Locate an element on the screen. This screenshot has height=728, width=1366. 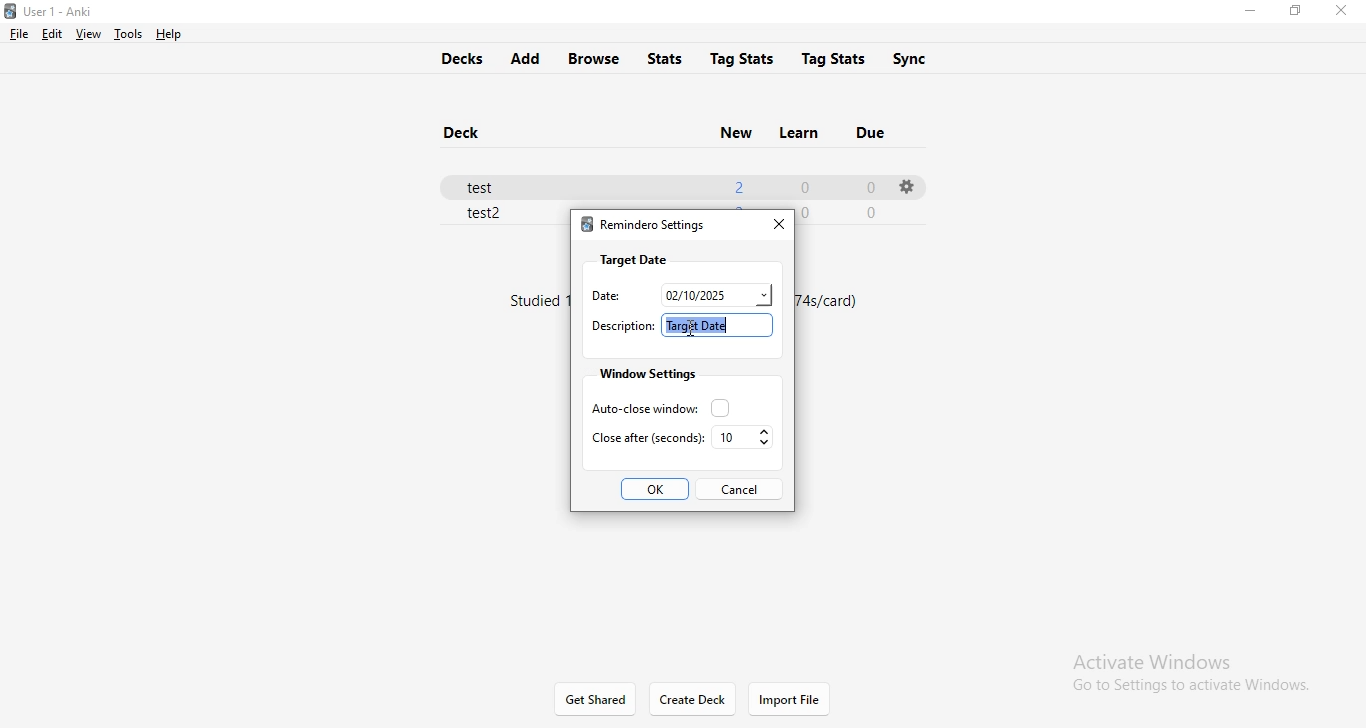
new is located at coordinates (734, 131).